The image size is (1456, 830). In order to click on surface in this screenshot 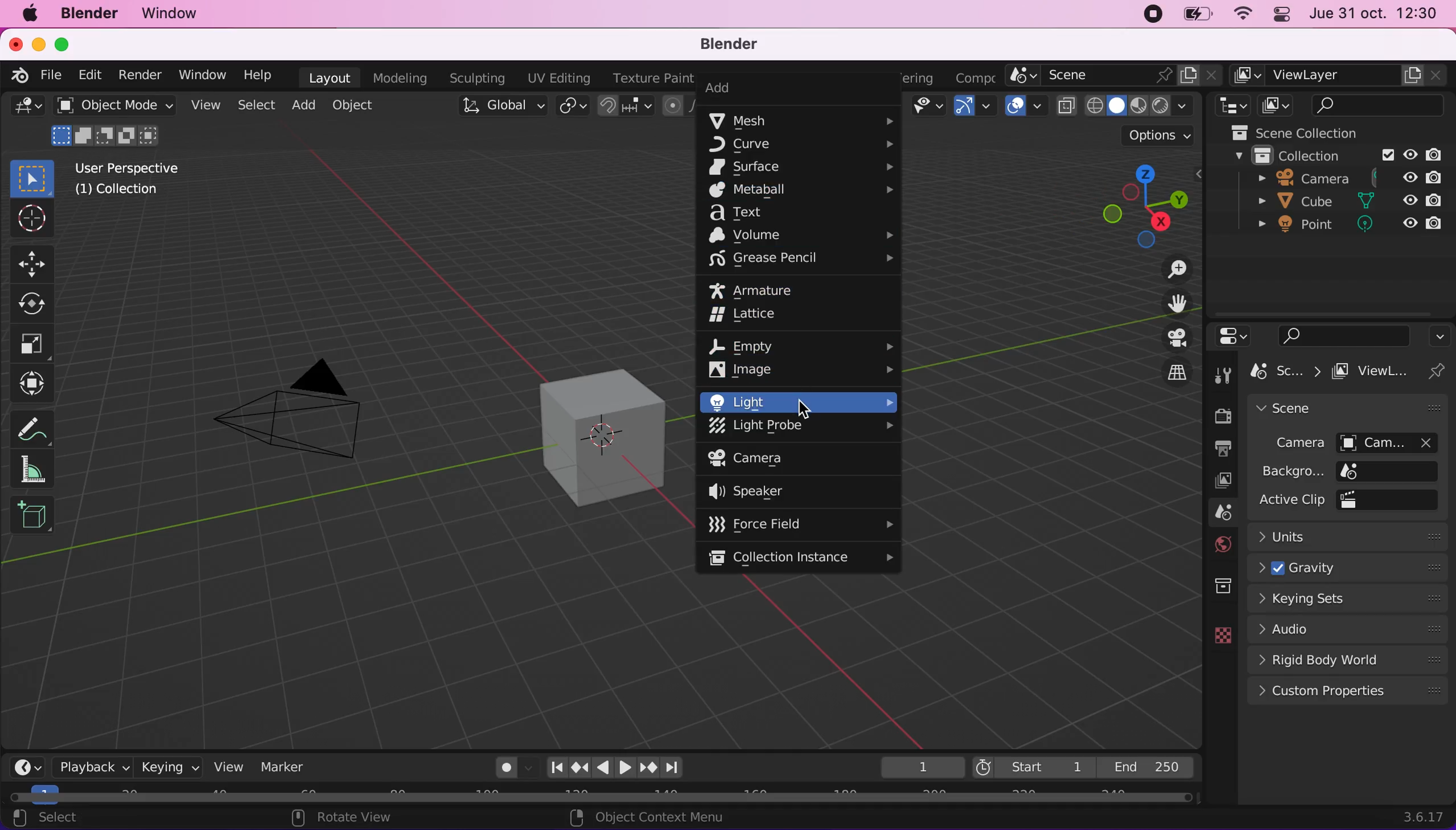, I will do `click(802, 168)`.